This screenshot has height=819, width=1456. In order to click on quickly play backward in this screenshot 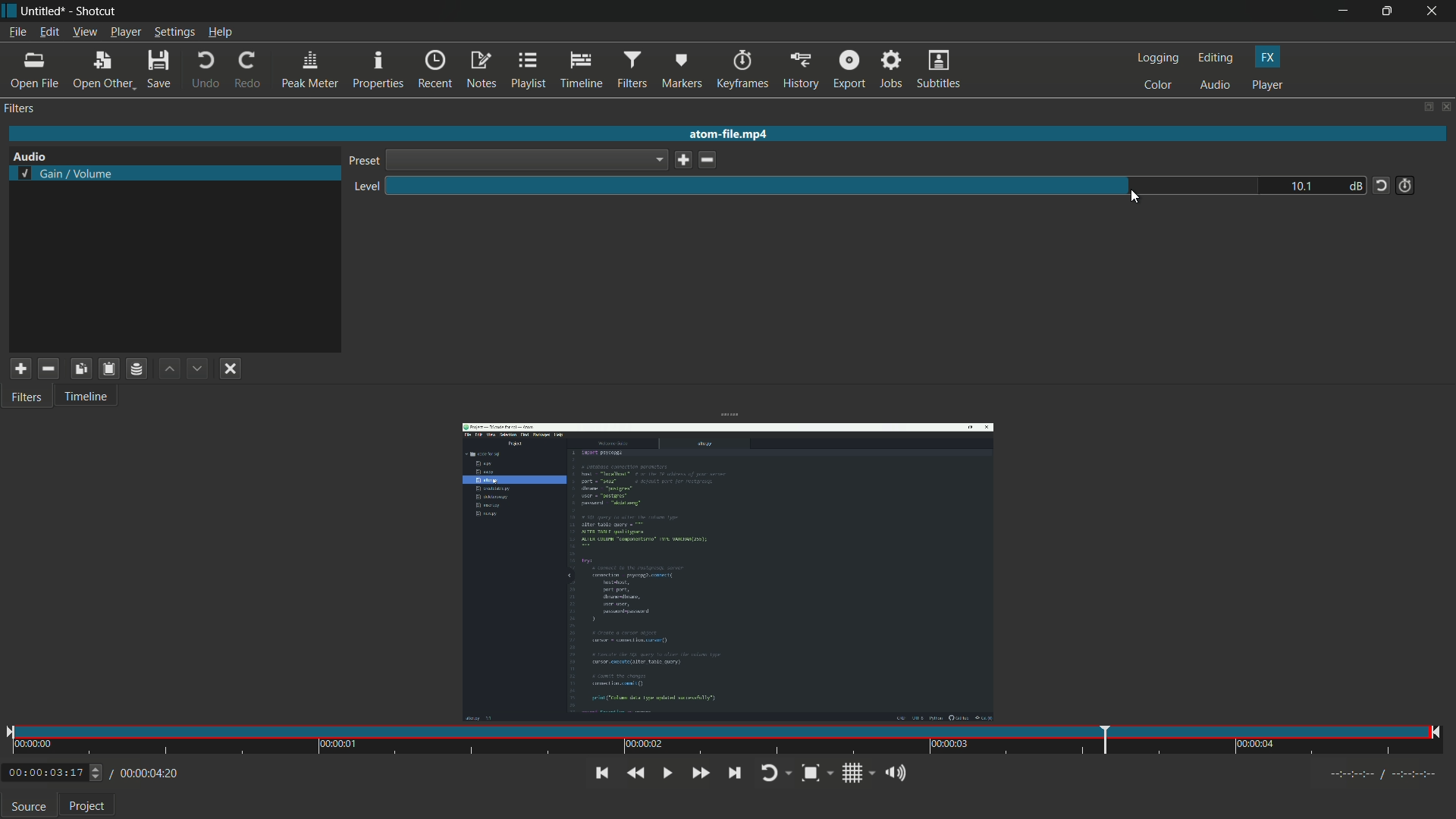, I will do `click(635, 773)`.